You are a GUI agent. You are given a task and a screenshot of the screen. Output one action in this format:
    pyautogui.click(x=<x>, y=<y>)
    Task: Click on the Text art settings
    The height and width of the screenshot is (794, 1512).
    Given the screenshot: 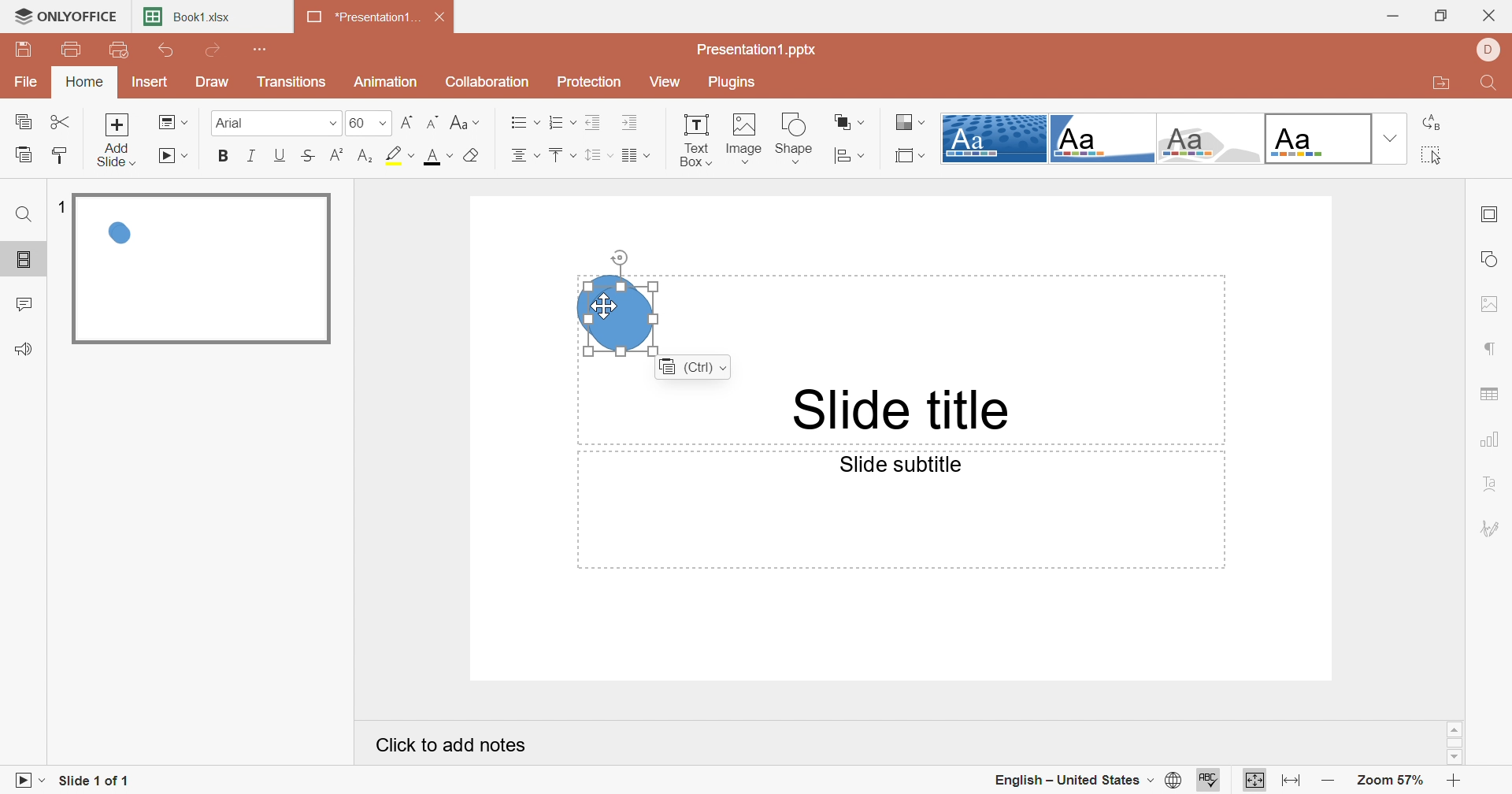 What is the action you would take?
    pyautogui.click(x=1497, y=487)
    